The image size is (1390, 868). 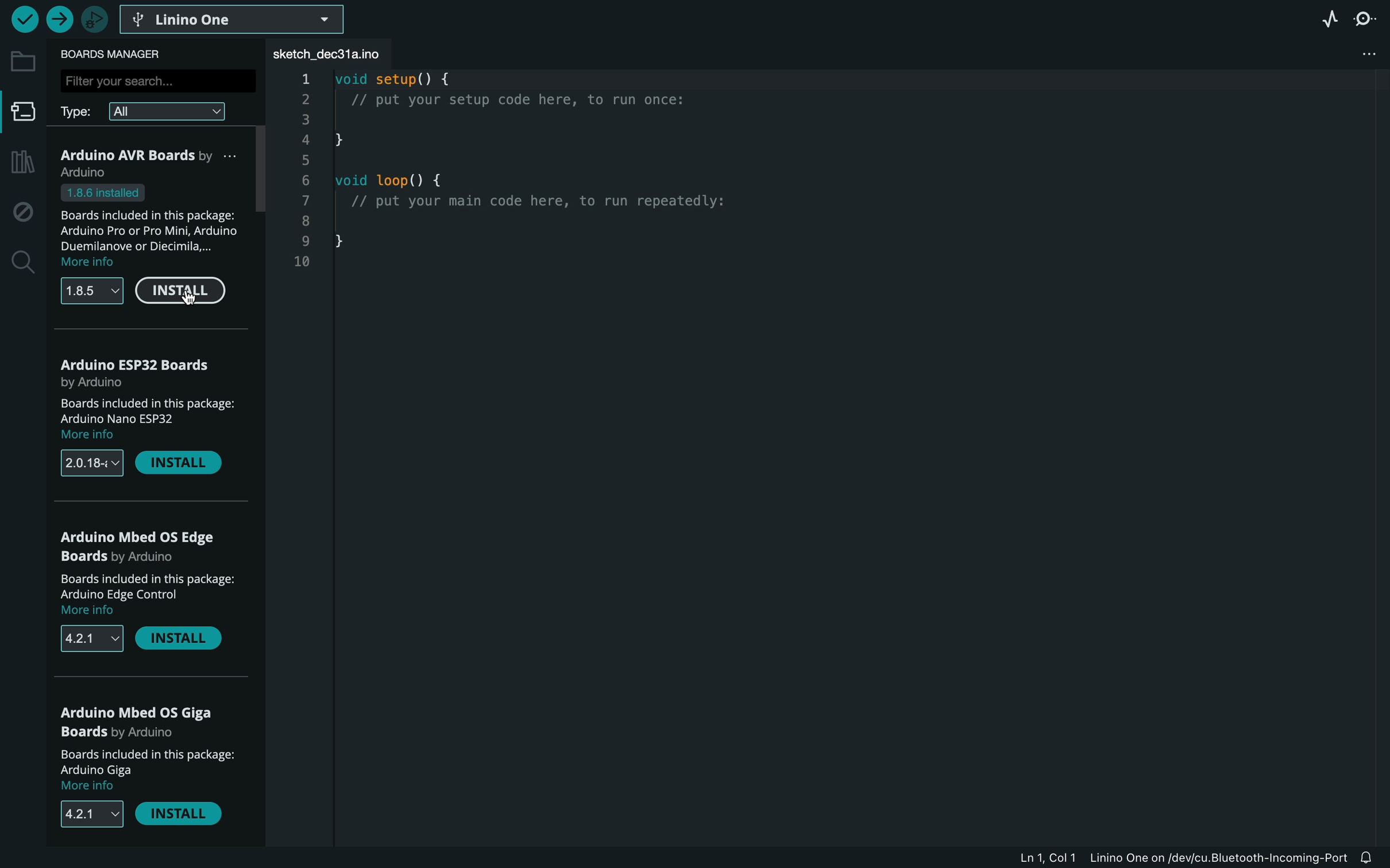 What do you see at coordinates (142, 721) in the screenshot?
I see `OS gIGA` at bounding box center [142, 721].